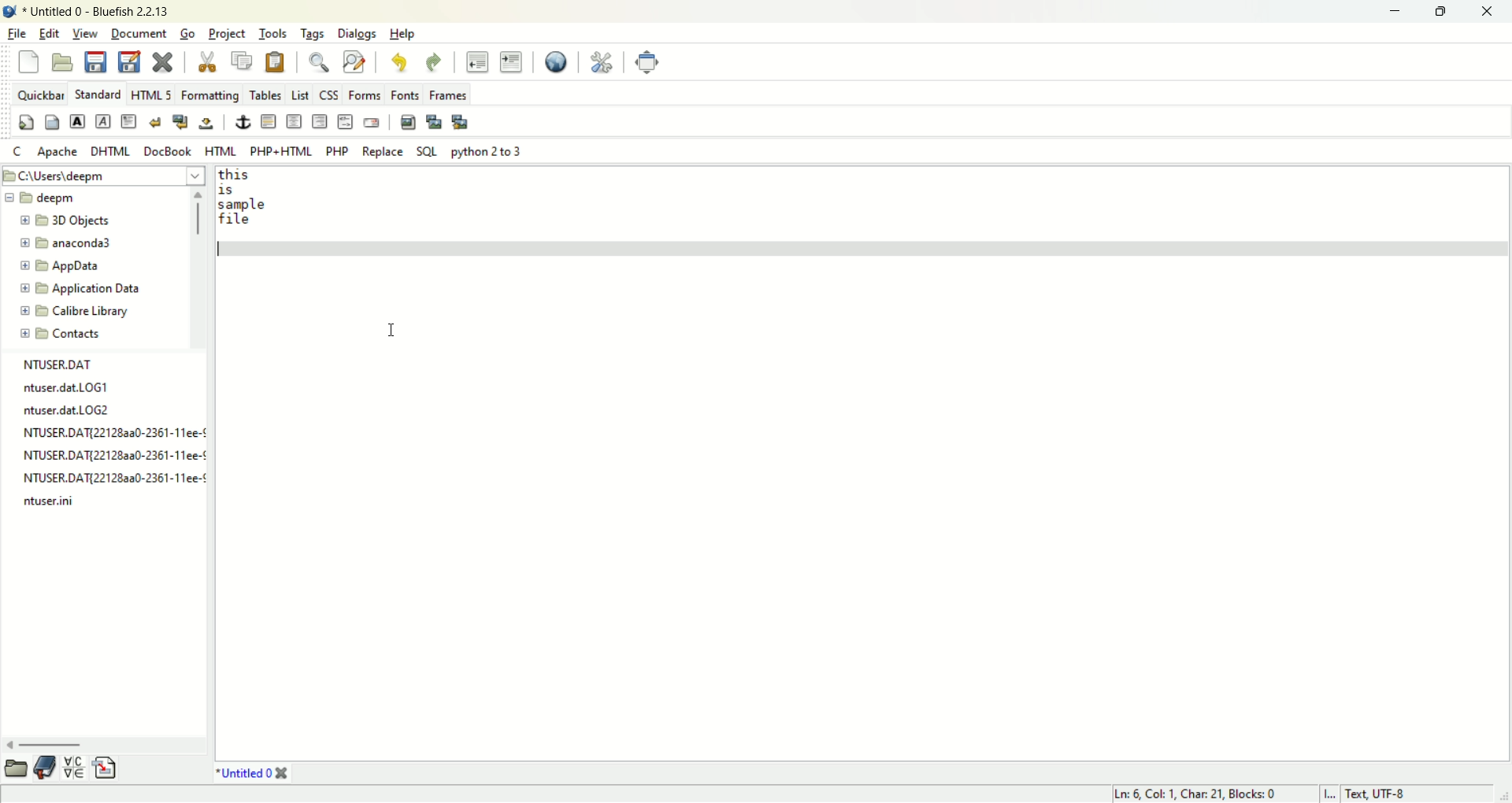 The image size is (1512, 803). What do you see at coordinates (598, 61) in the screenshot?
I see `edit preferences` at bounding box center [598, 61].